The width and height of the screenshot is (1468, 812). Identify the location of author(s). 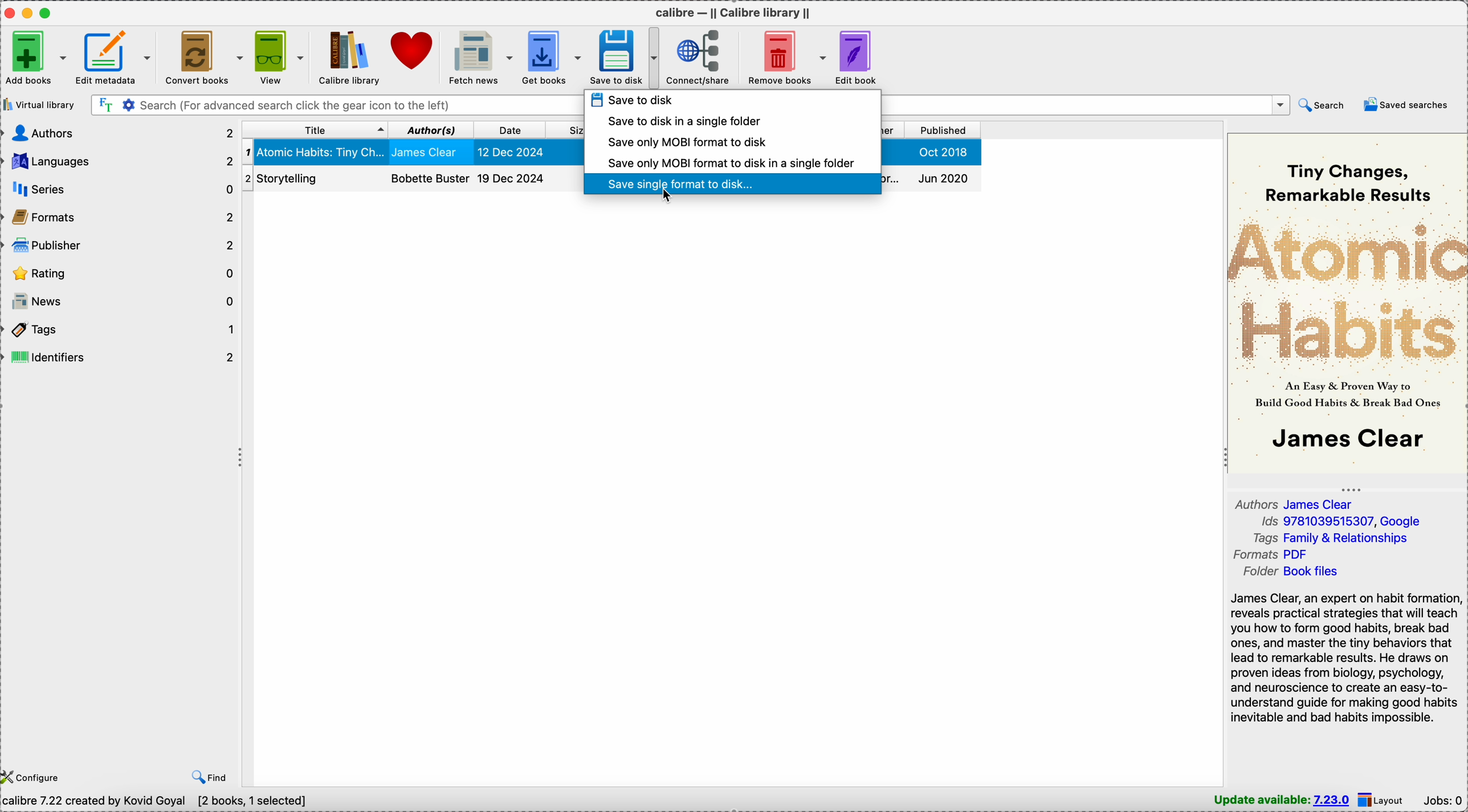
(432, 129).